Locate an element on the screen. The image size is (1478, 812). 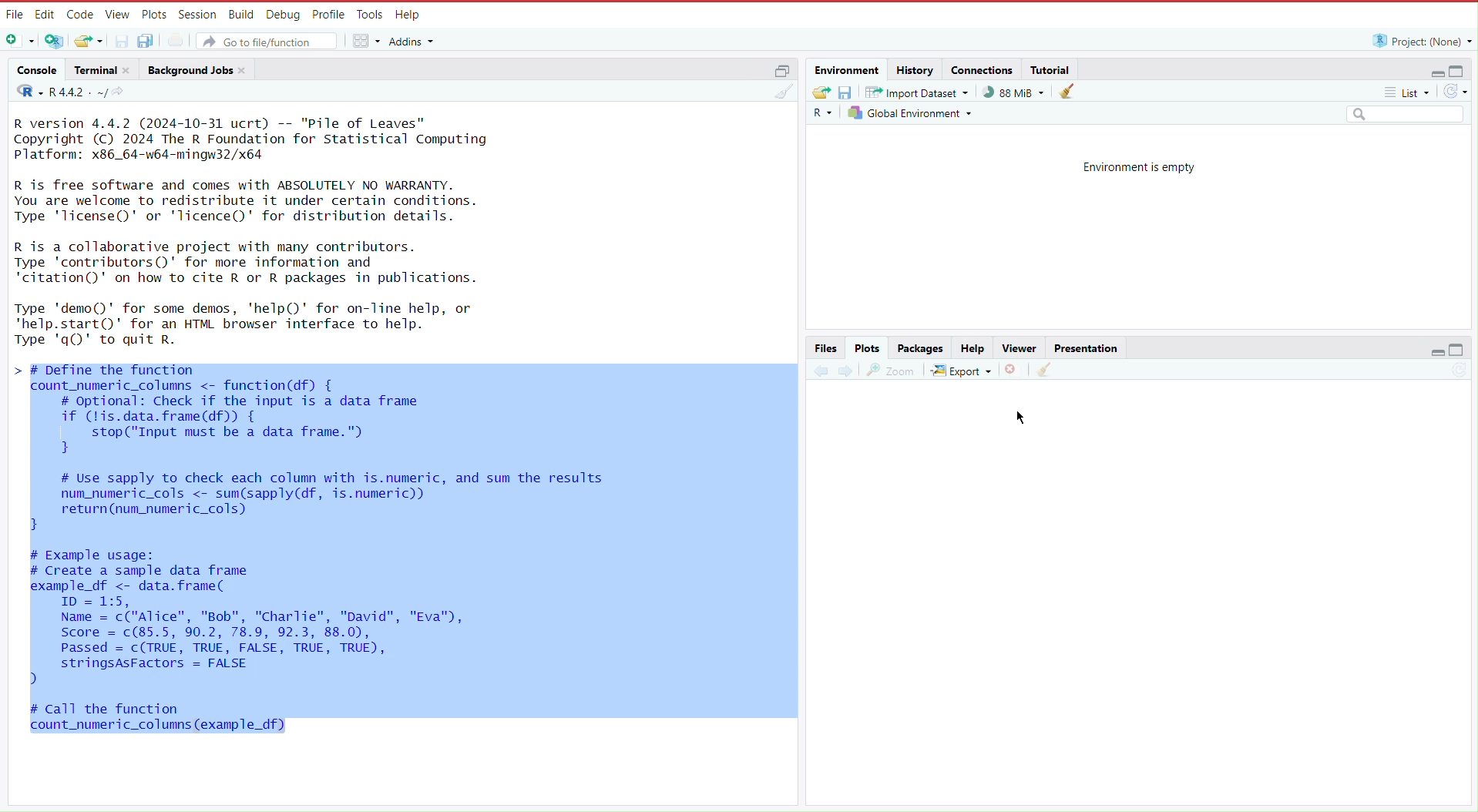
Terminal is located at coordinates (102, 70).